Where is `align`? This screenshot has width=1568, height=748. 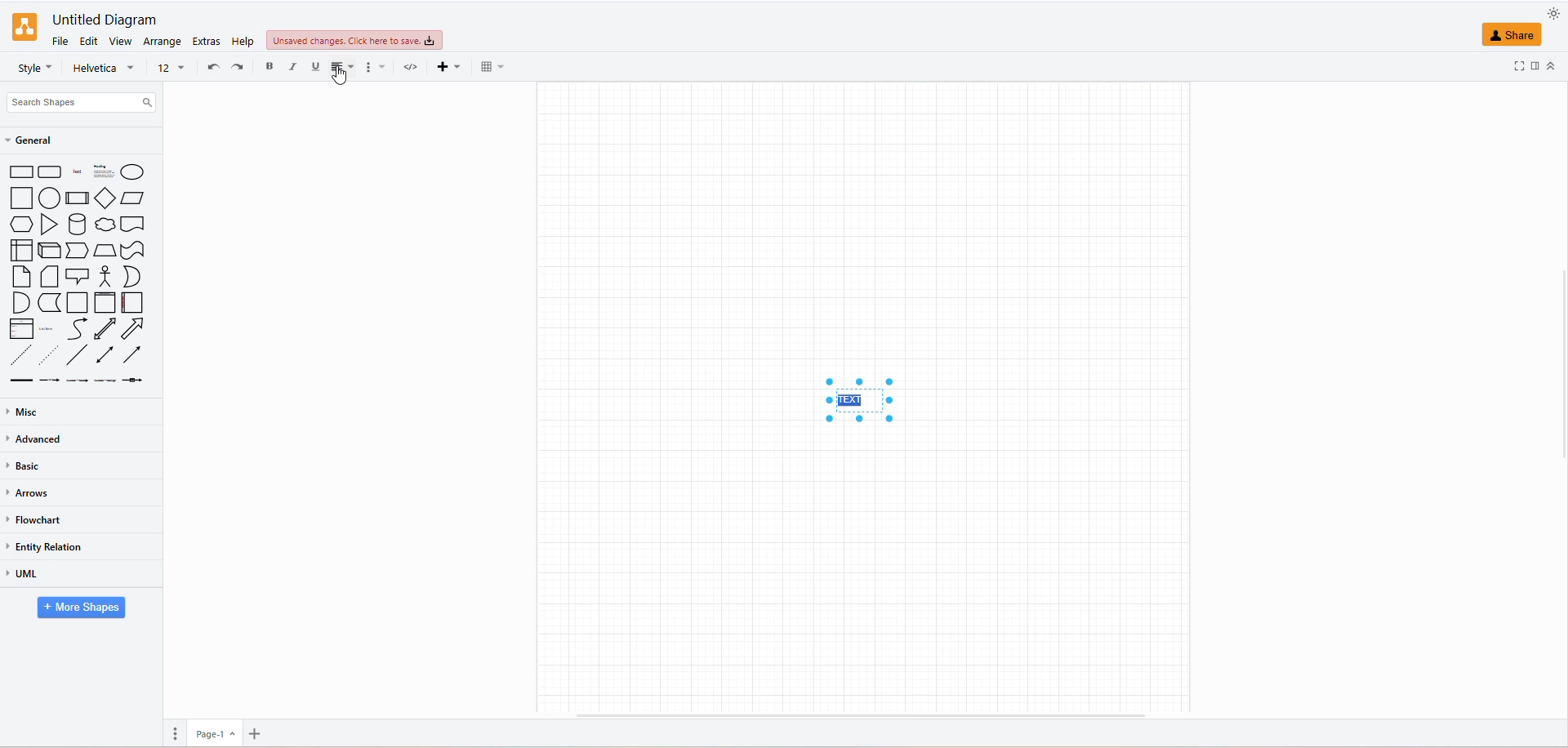
align is located at coordinates (343, 69).